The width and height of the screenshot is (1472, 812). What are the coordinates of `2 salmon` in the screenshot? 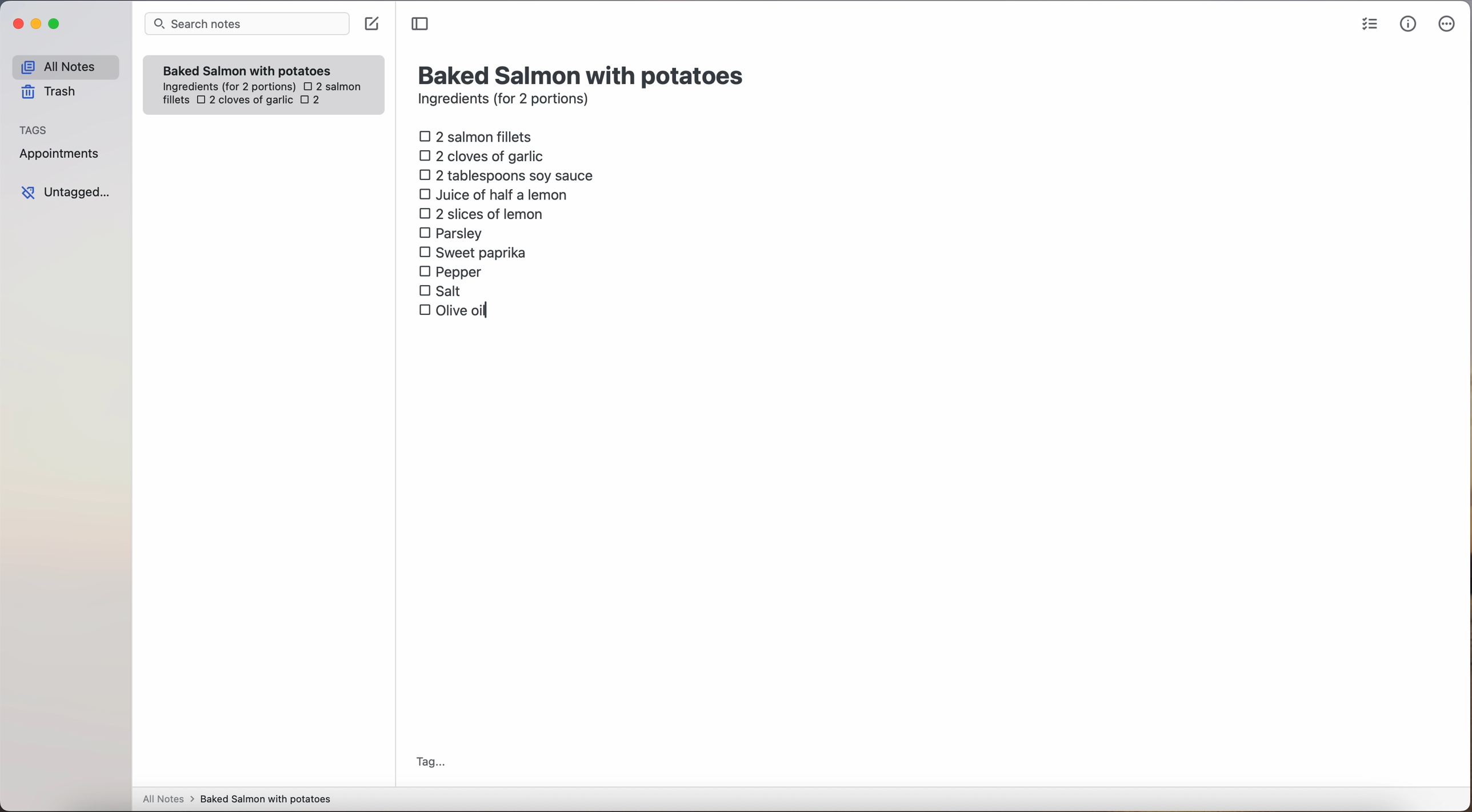 It's located at (331, 85).